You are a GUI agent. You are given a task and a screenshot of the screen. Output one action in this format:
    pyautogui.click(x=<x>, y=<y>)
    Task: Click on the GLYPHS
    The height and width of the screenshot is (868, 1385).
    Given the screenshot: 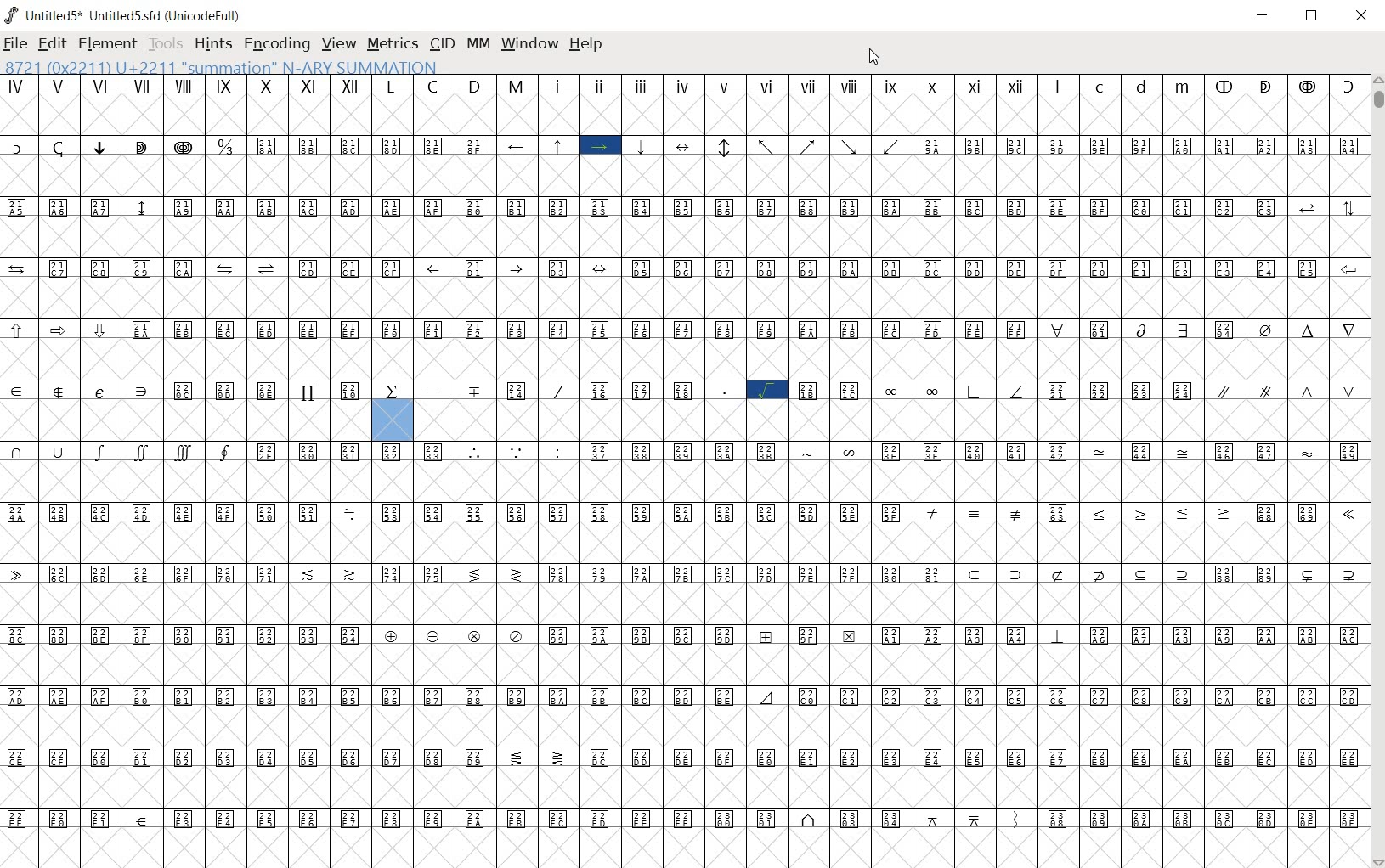 What is the action you would take?
    pyautogui.click(x=682, y=467)
    